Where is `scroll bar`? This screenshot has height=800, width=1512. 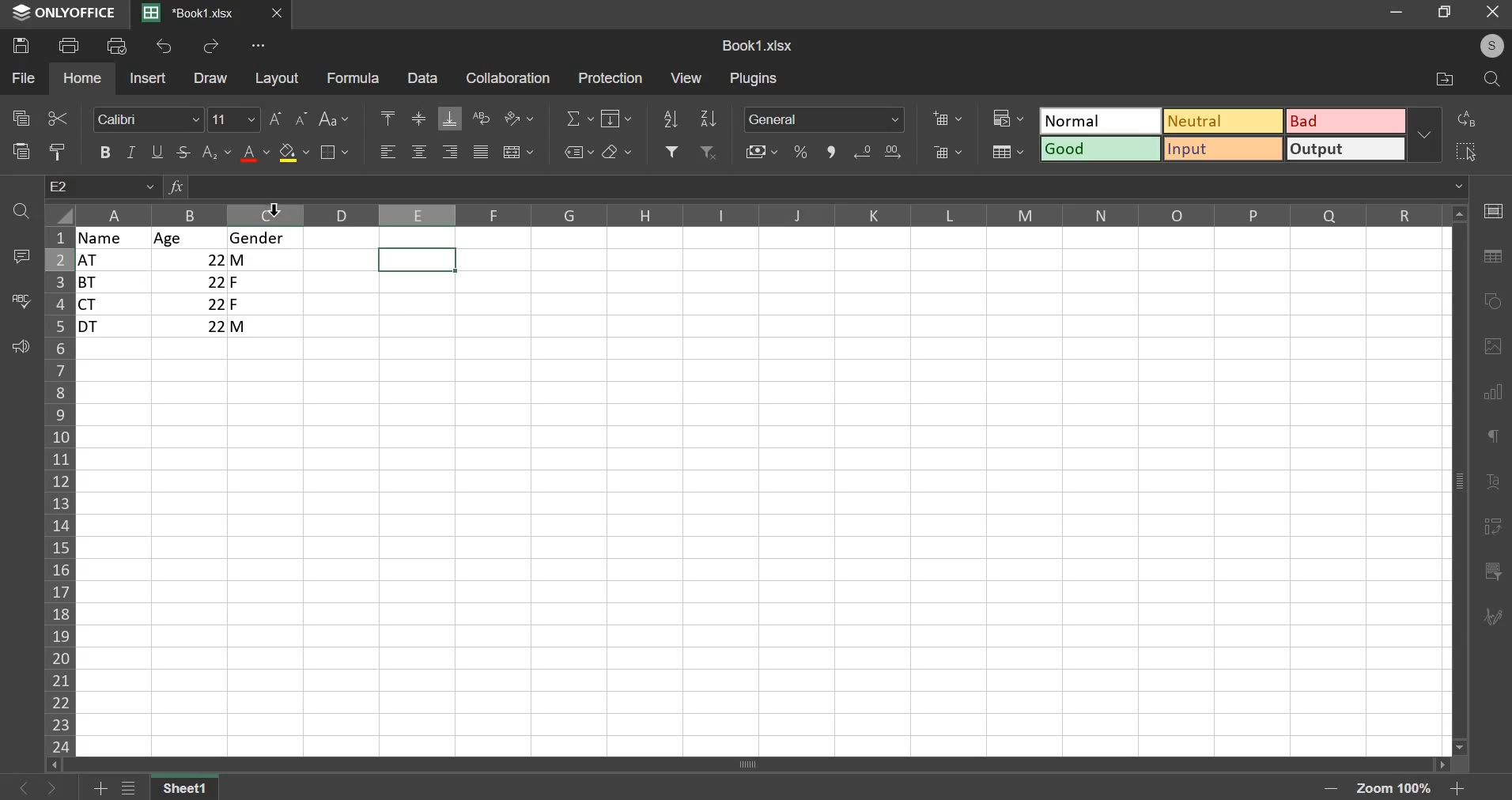
scroll bar is located at coordinates (764, 764).